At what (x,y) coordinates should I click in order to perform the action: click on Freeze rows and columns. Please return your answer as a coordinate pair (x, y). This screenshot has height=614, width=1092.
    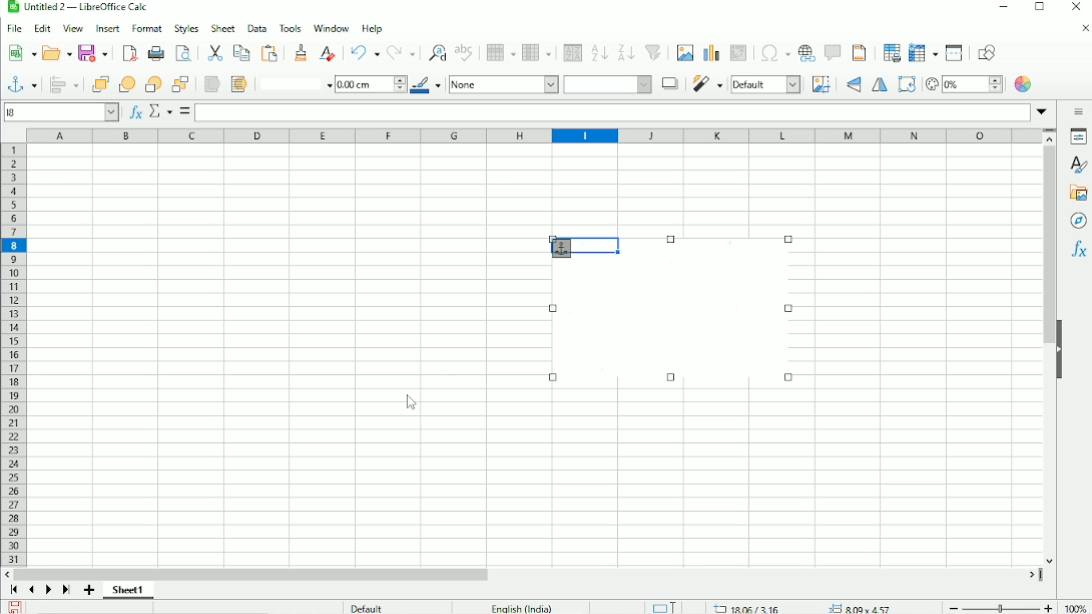
    Looking at the image, I should click on (924, 52).